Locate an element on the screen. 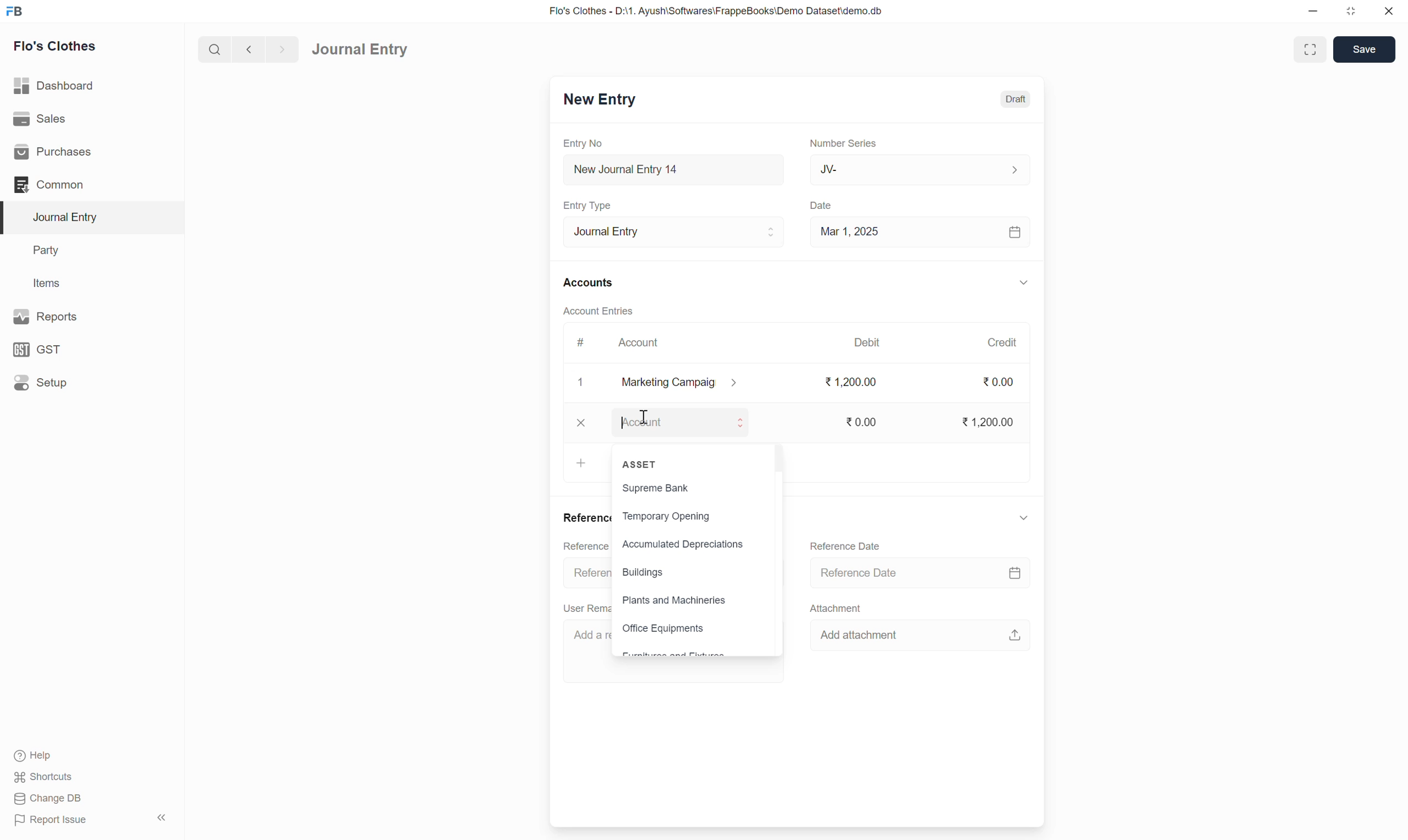 Image resolution: width=1408 pixels, height=840 pixels. # is located at coordinates (581, 342).